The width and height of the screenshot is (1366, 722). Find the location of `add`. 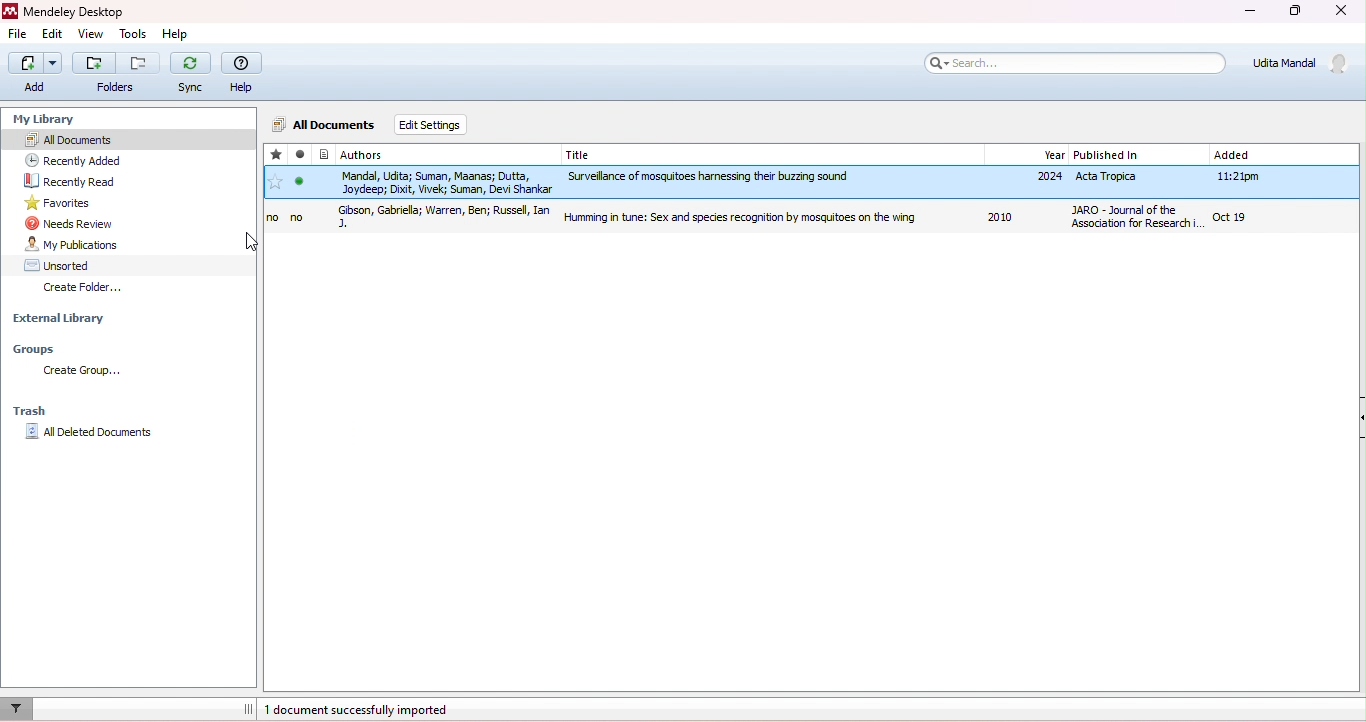

add is located at coordinates (34, 71).